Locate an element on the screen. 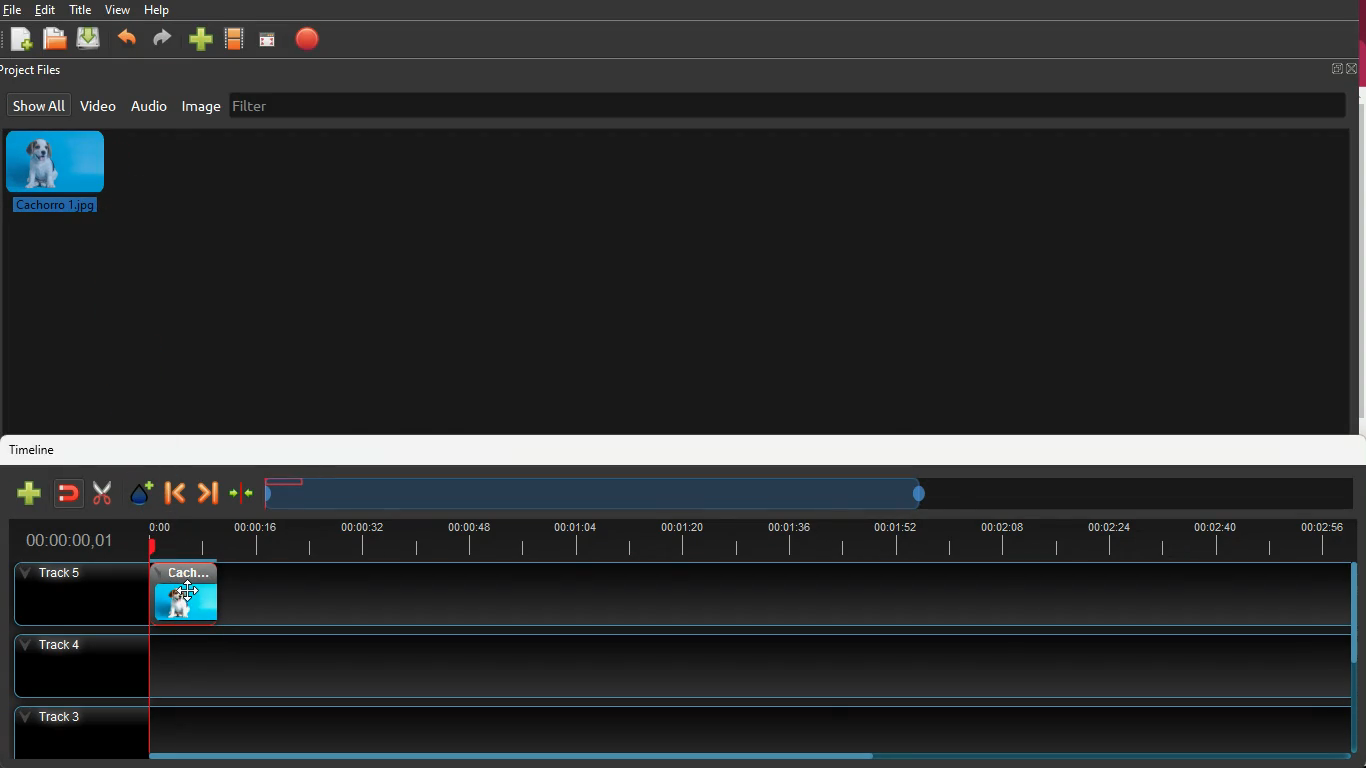  audio is located at coordinates (151, 106).